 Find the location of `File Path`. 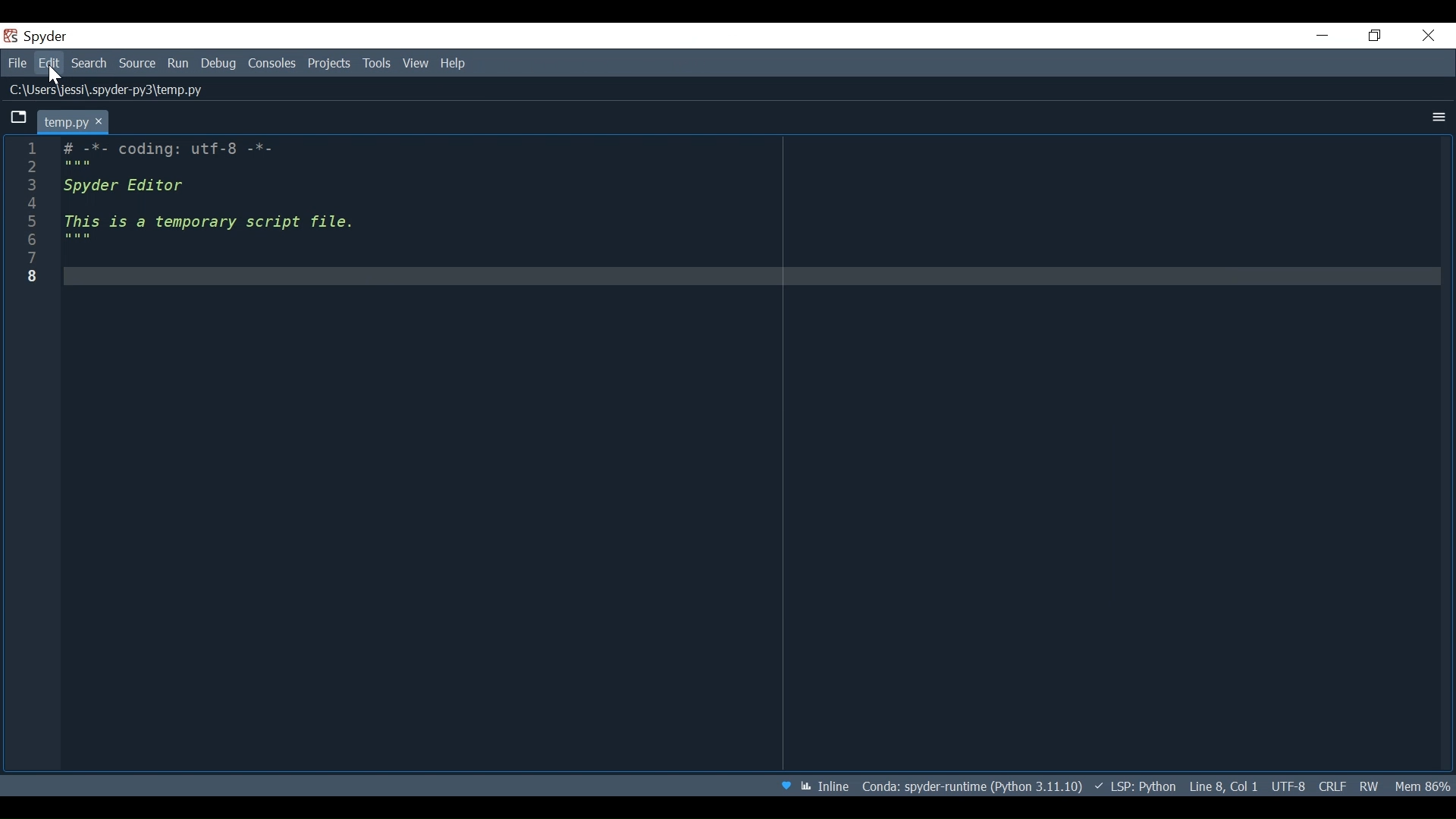

File Path is located at coordinates (971, 785).